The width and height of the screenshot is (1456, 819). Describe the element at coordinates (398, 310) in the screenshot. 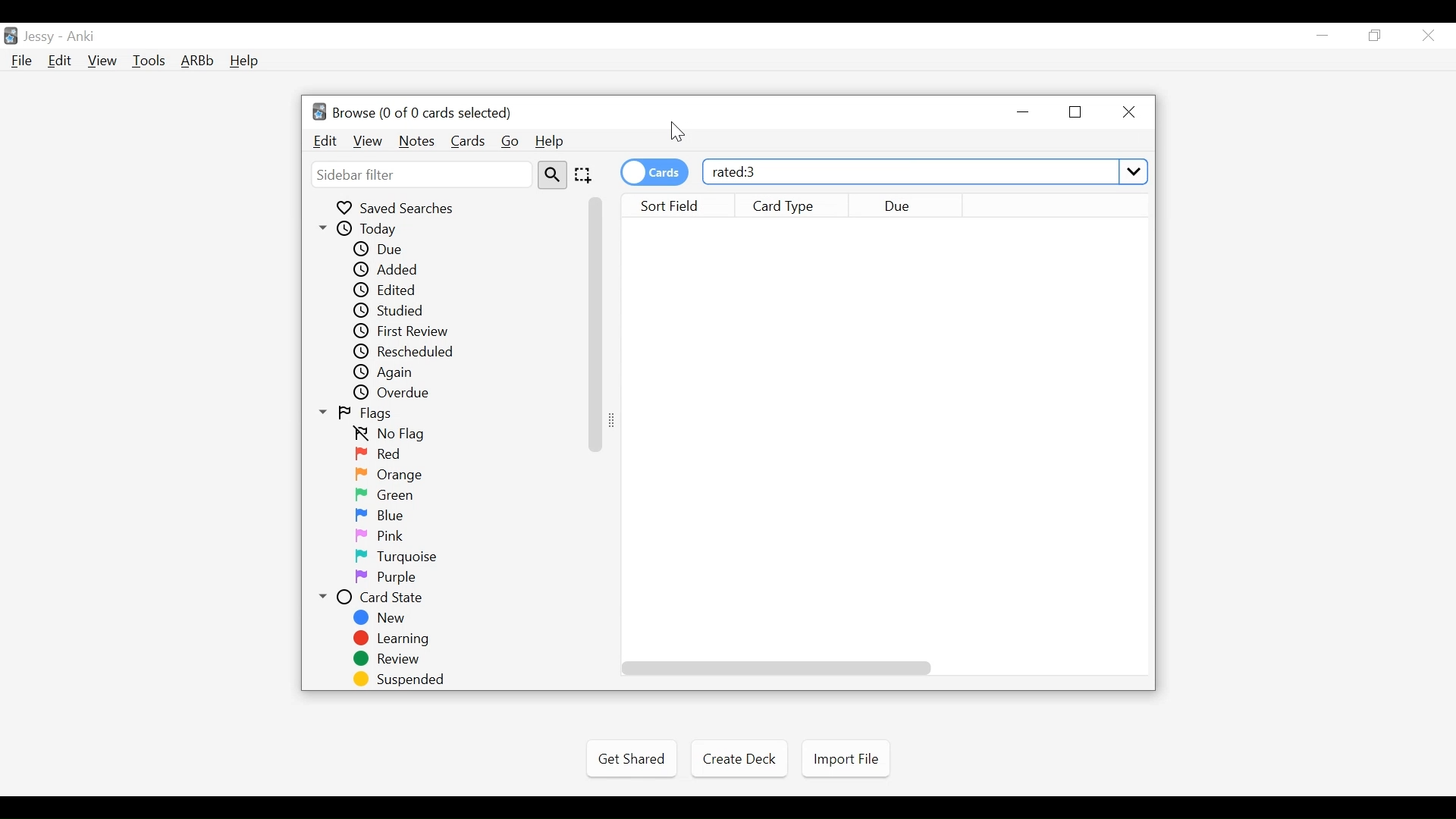

I see `Studied` at that location.